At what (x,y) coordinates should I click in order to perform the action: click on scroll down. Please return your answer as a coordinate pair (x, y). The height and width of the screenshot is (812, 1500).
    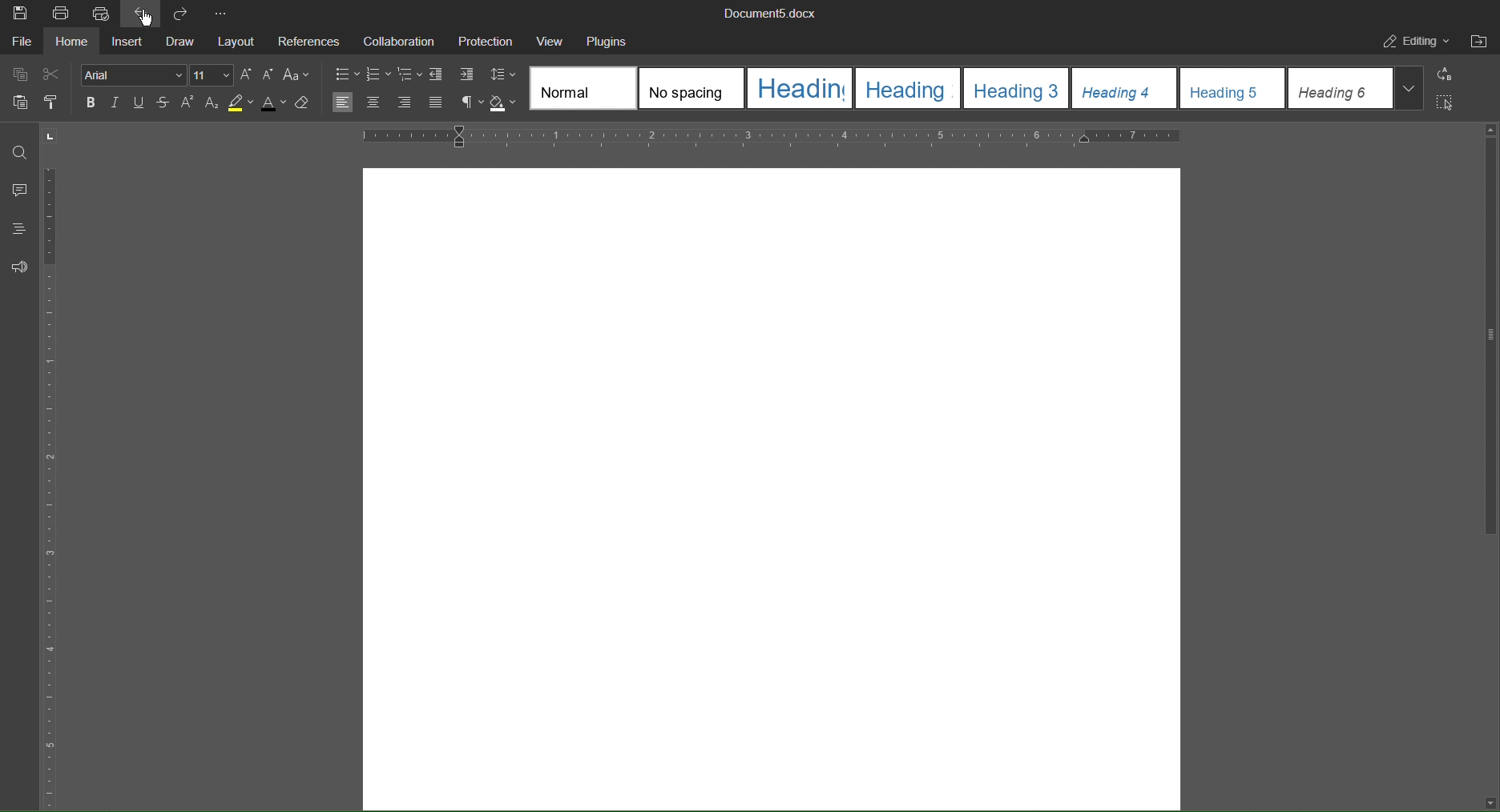
    Looking at the image, I should click on (1490, 802).